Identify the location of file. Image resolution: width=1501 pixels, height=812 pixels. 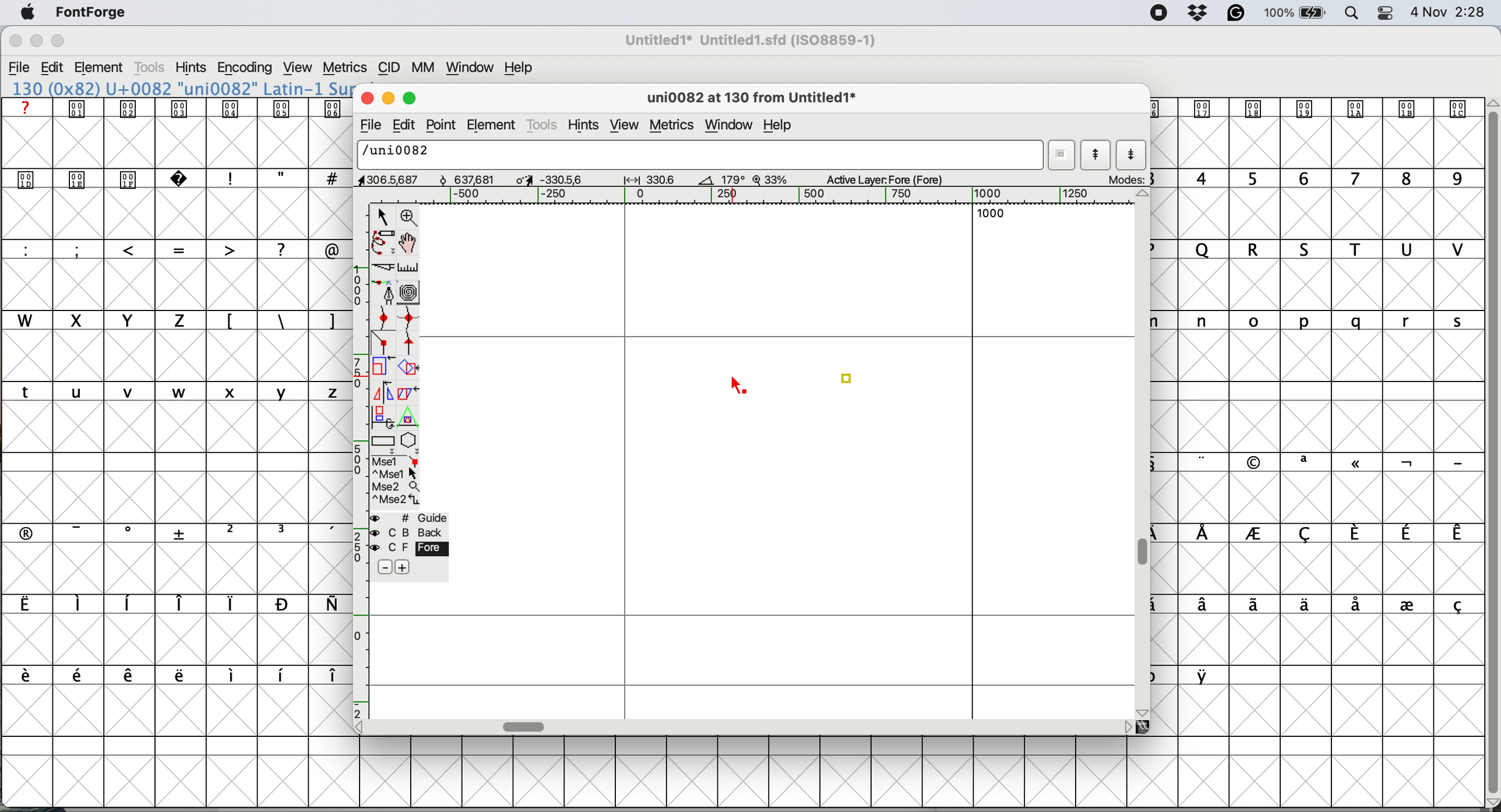
(369, 125).